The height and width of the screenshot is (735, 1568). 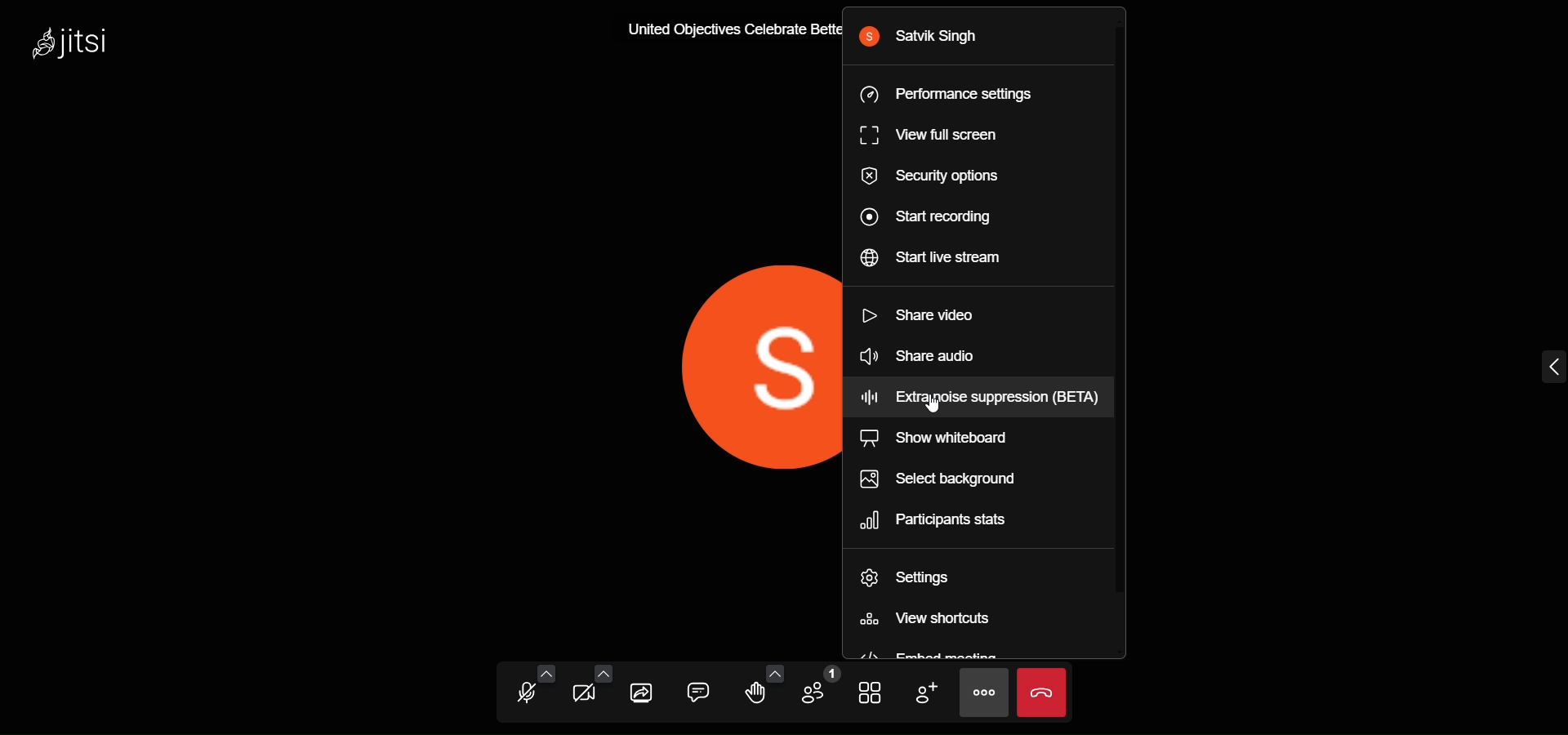 I want to click on view shortcuts, so click(x=952, y=620).